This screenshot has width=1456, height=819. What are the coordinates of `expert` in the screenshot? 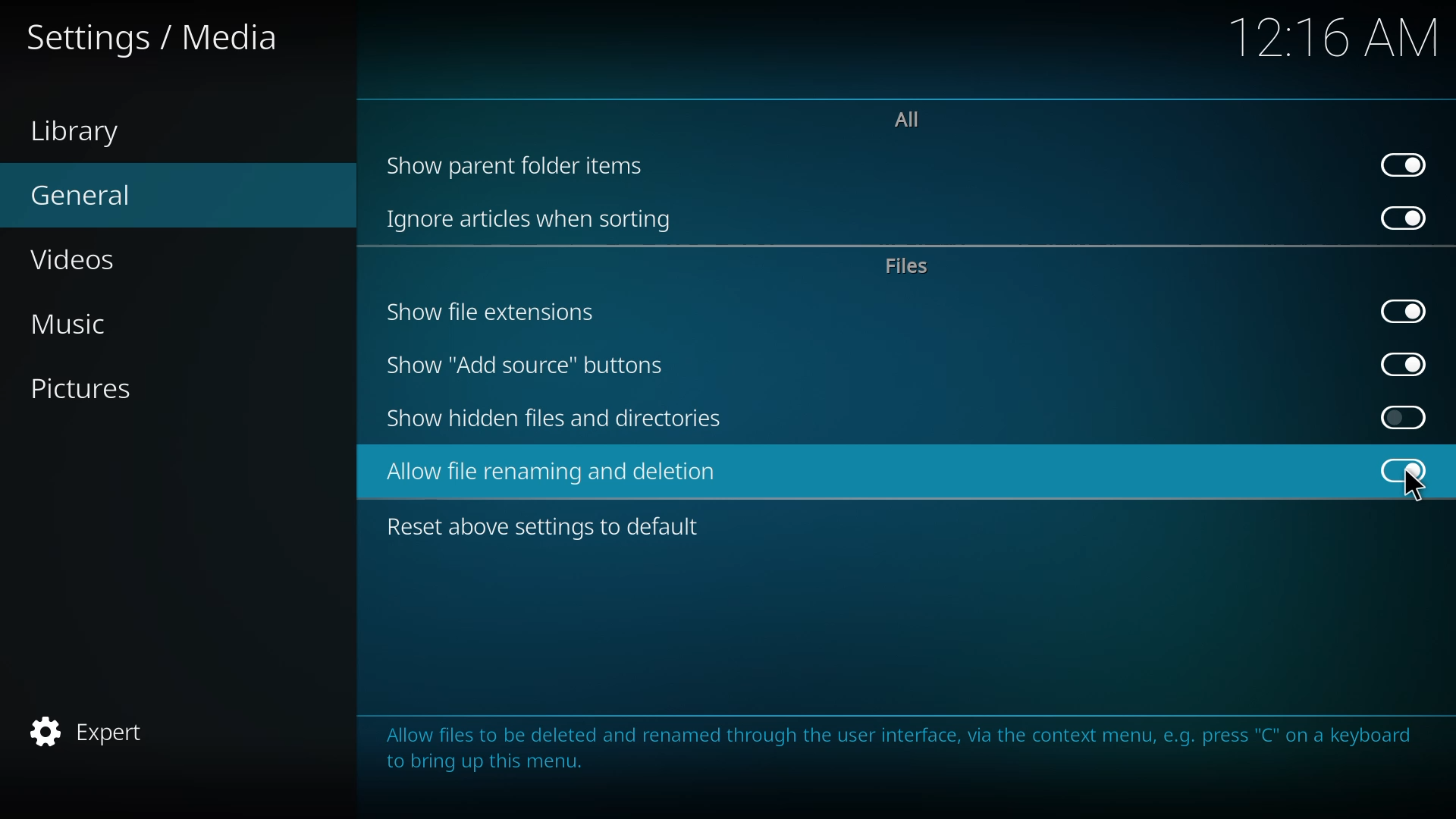 It's located at (93, 729).